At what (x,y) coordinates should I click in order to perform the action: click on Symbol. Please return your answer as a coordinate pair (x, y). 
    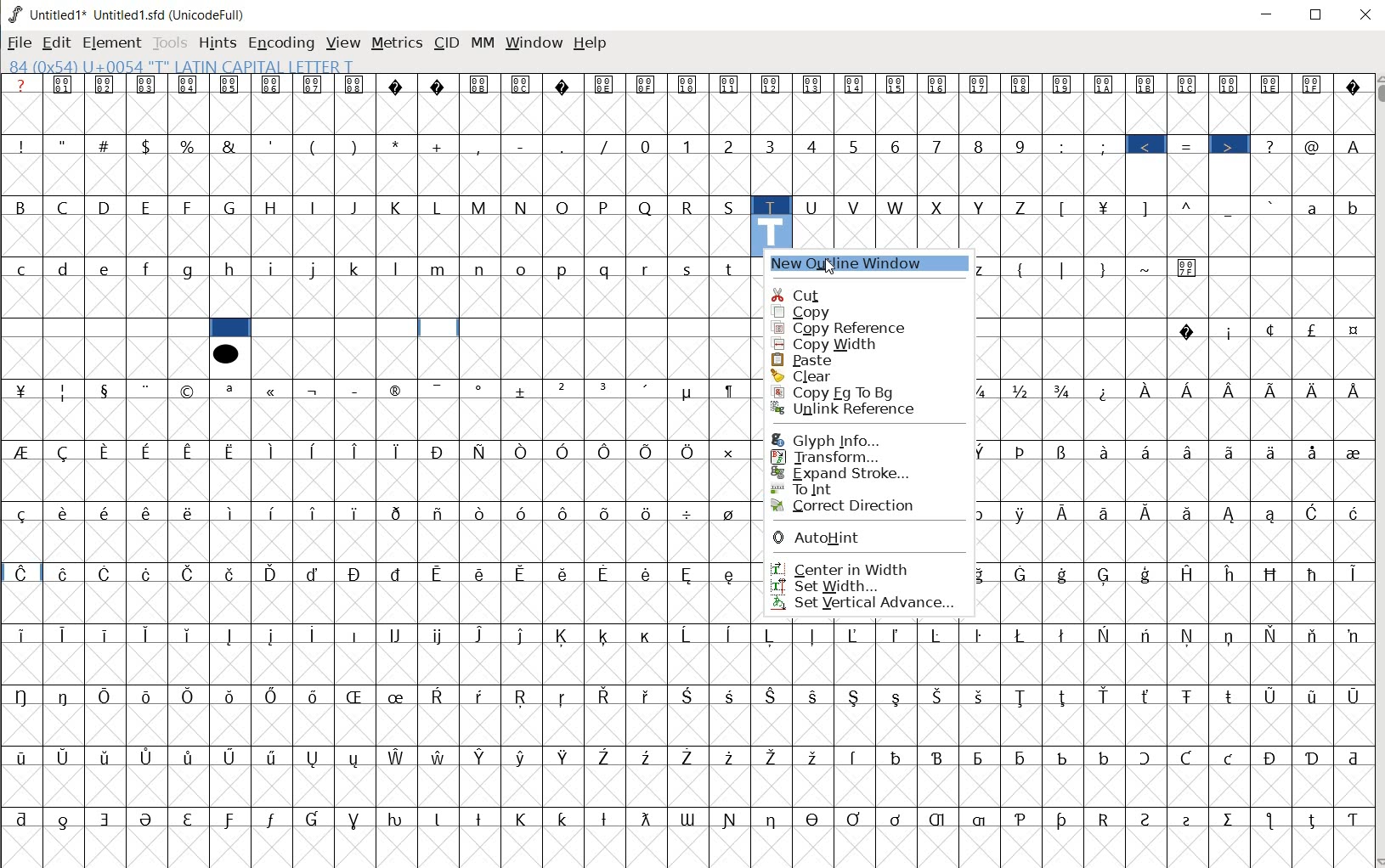
    Looking at the image, I should click on (1313, 330).